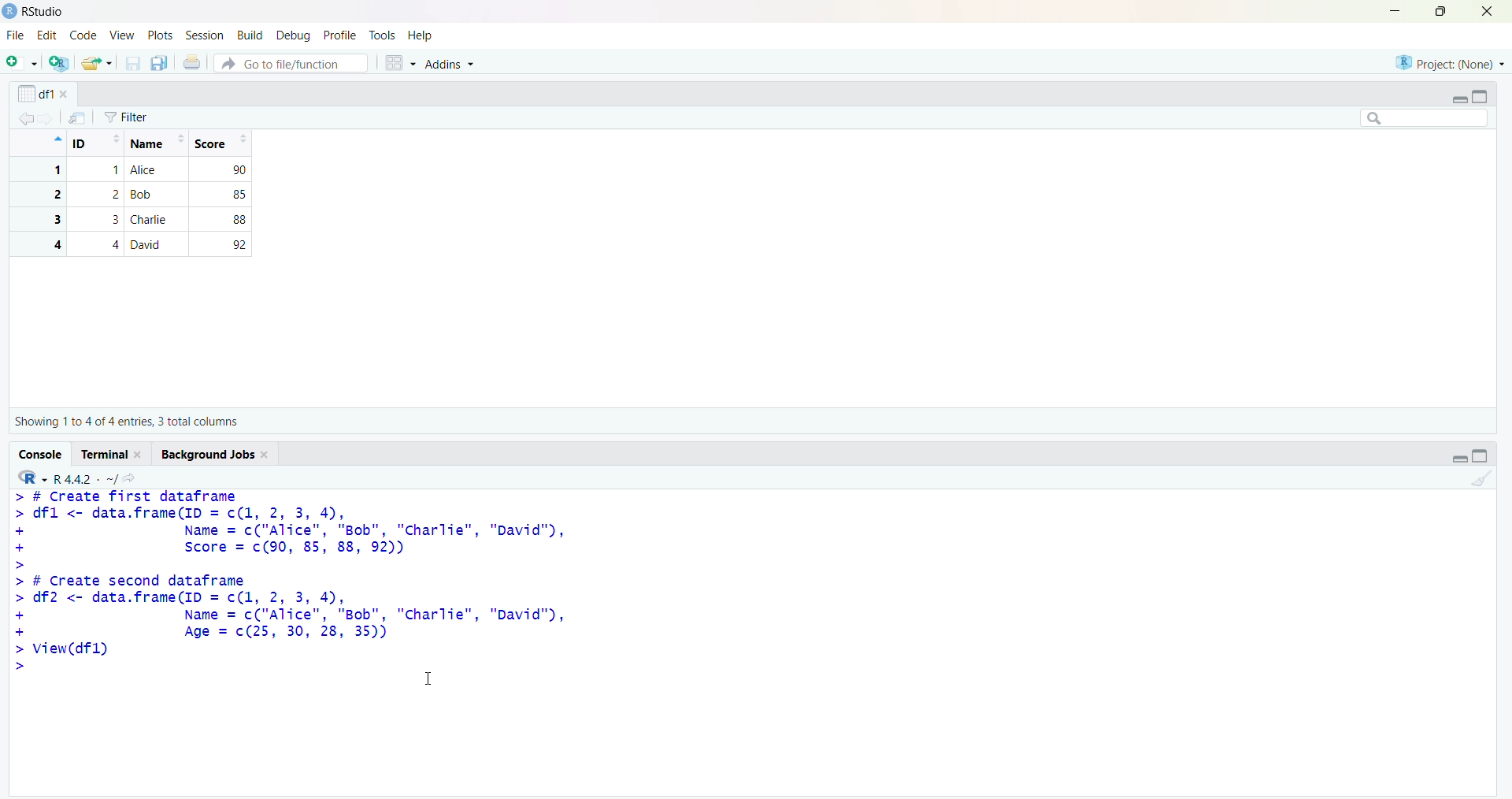  Describe the element at coordinates (295, 36) in the screenshot. I see `debug` at that location.